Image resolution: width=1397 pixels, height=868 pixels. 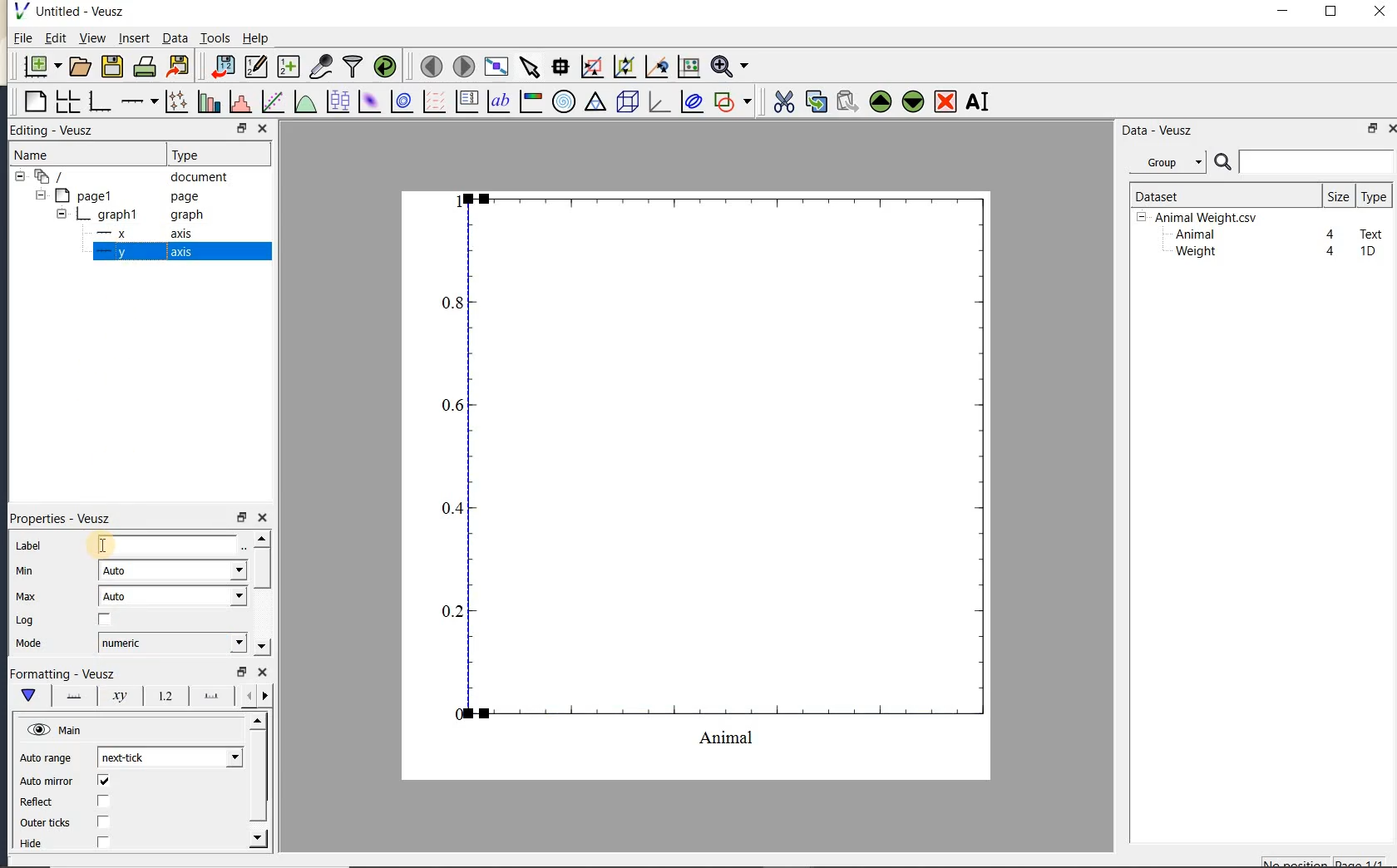 I want to click on Untitled-Veusz, so click(x=74, y=12).